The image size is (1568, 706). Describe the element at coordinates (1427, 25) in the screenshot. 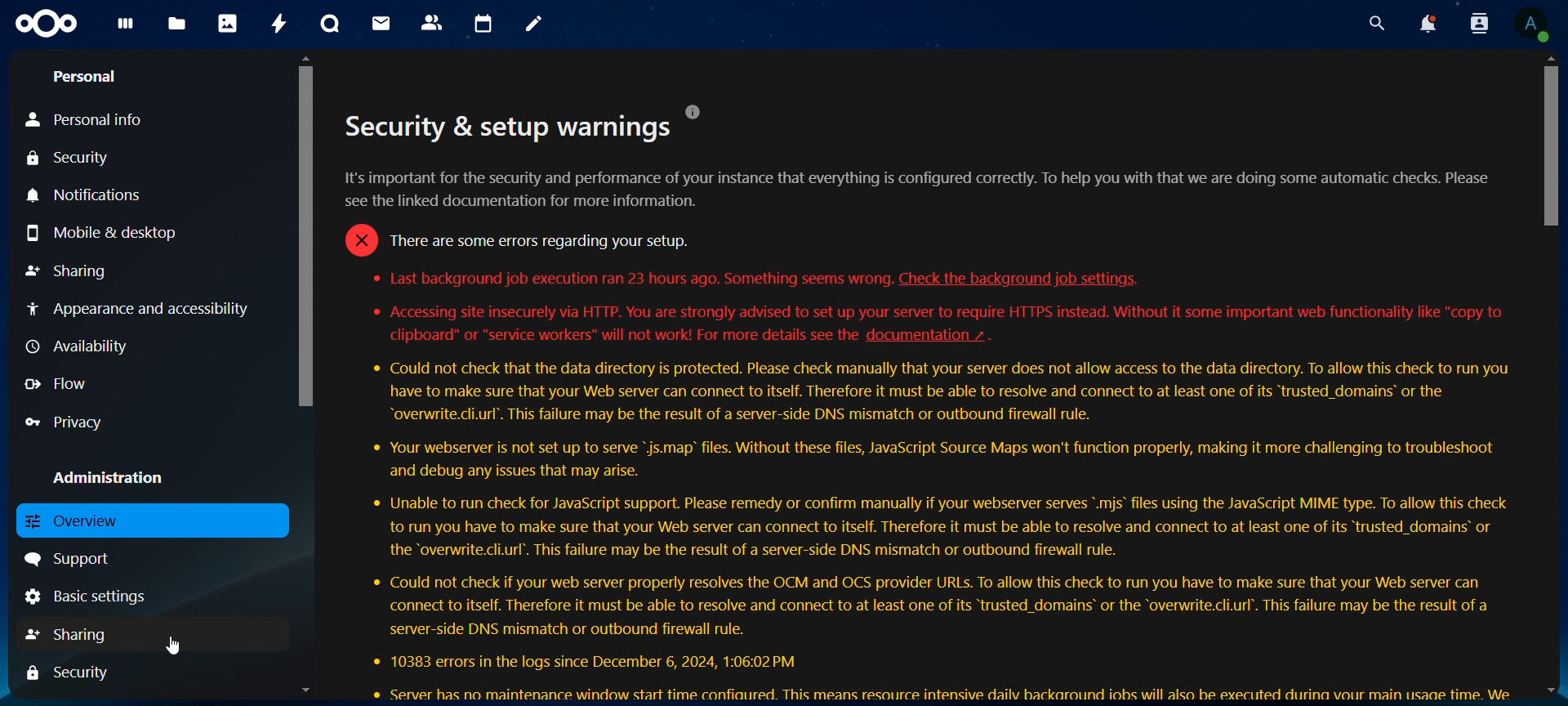

I see `notifications` at that location.